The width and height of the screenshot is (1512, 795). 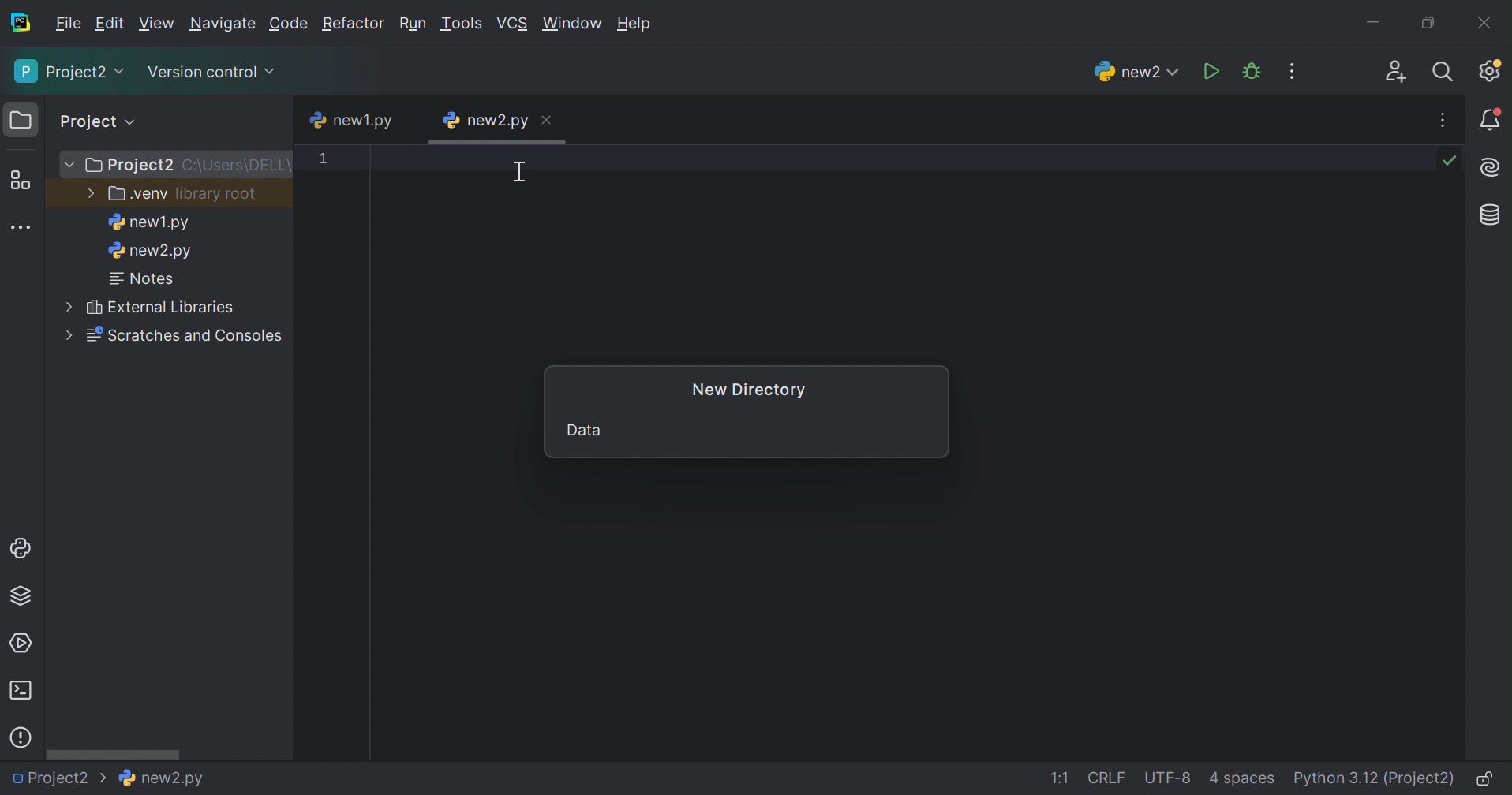 I want to click on 4 spaces, so click(x=1244, y=779).